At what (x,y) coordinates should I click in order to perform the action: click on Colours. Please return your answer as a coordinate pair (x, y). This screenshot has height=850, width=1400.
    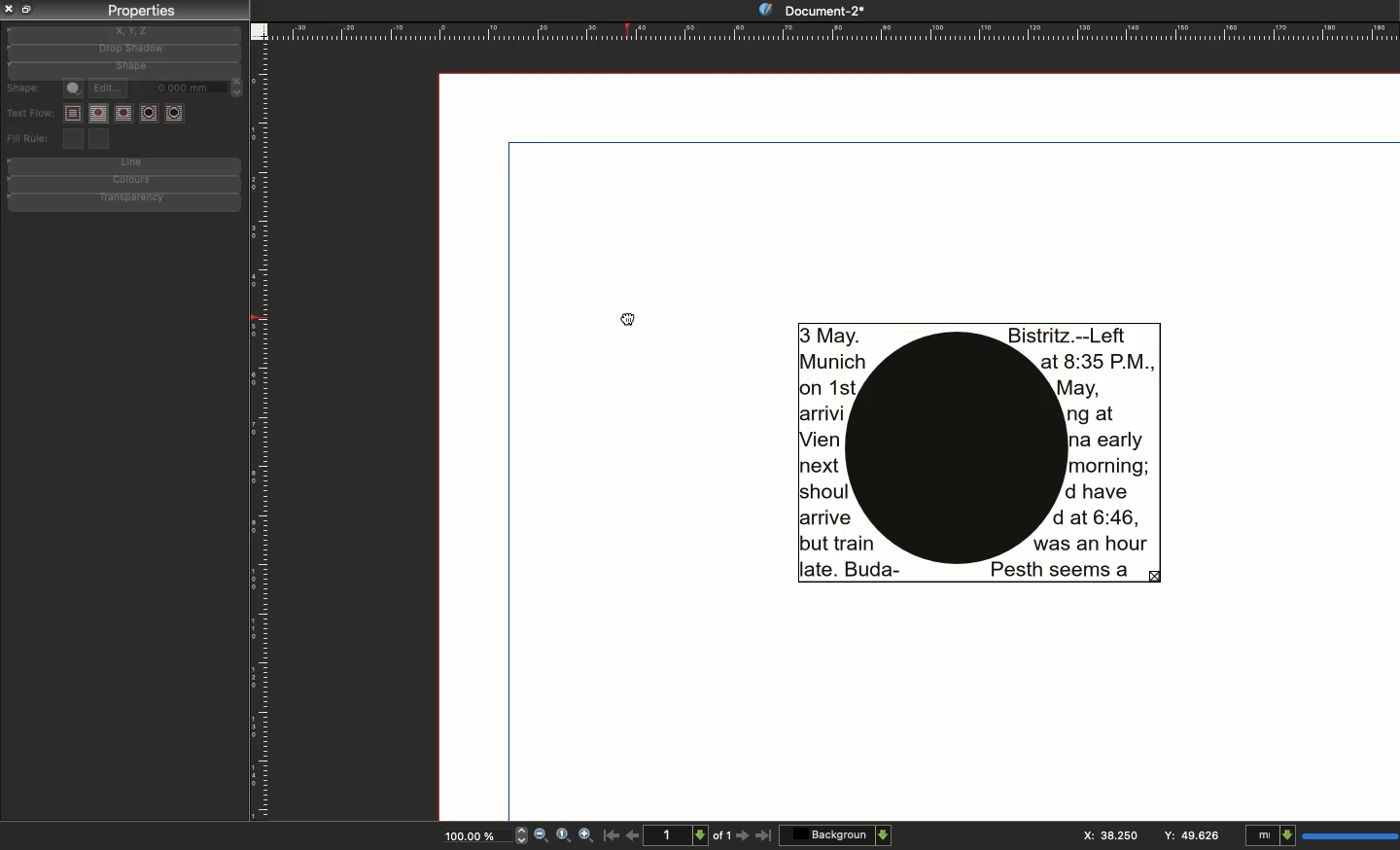
    Looking at the image, I should click on (135, 182).